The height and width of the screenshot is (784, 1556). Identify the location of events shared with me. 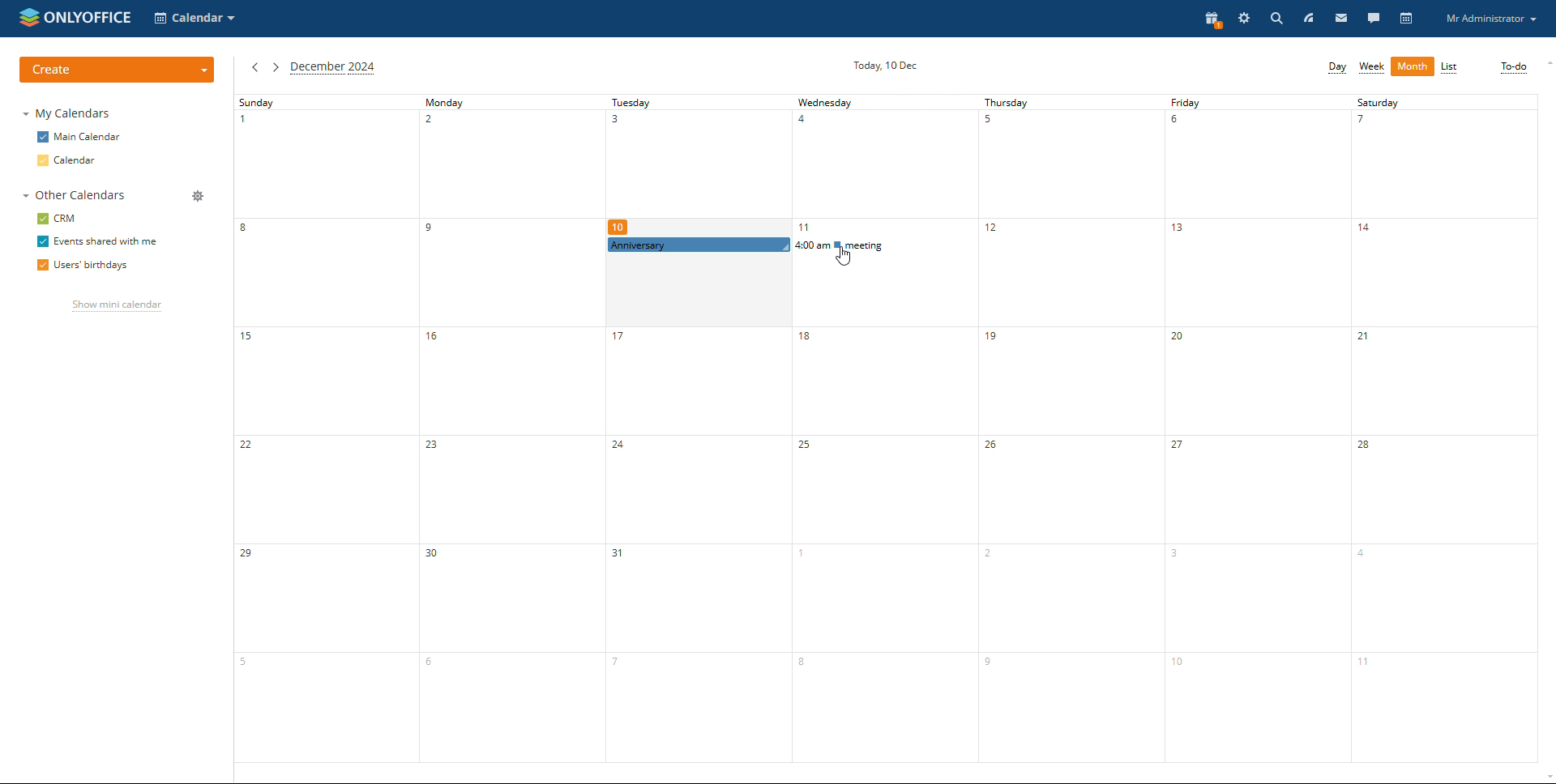
(100, 241).